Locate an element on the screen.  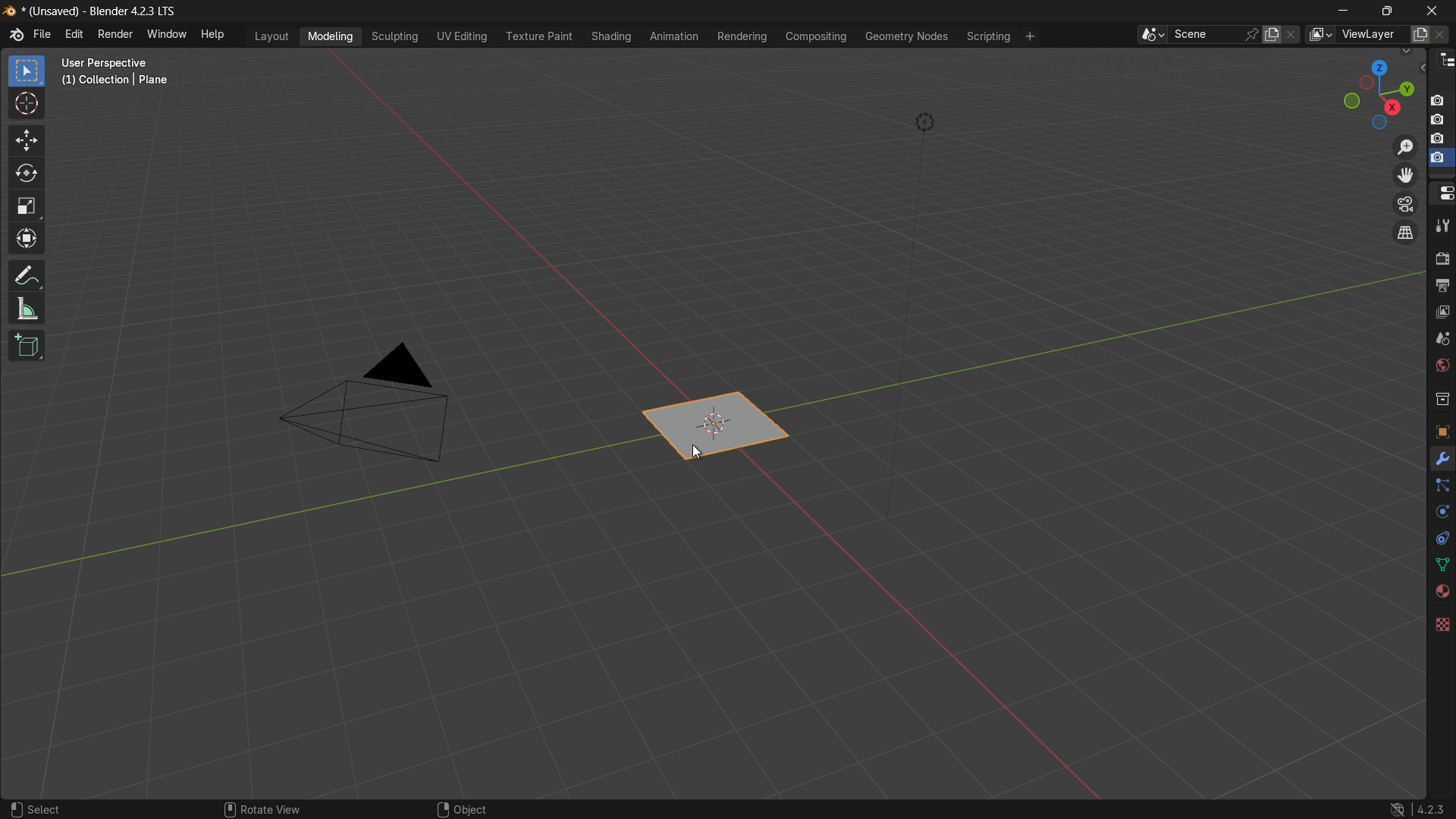
outliner is located at coordinates (1444, 61).